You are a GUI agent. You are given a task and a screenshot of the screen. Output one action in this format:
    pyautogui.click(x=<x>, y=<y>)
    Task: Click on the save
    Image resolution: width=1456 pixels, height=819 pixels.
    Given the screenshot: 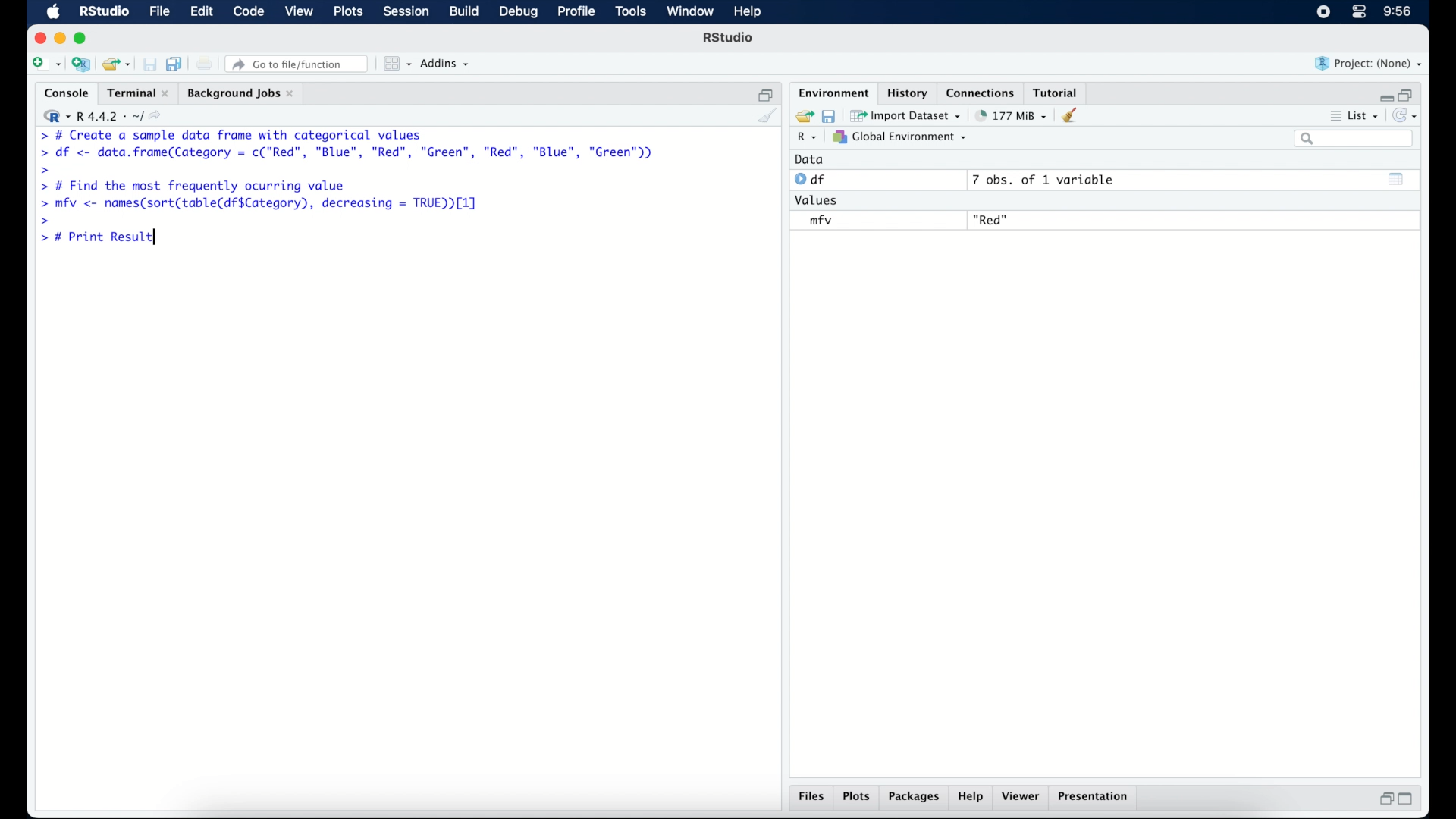 What is the action you would take?
    pyautogui.click(x=147, y=61)
    